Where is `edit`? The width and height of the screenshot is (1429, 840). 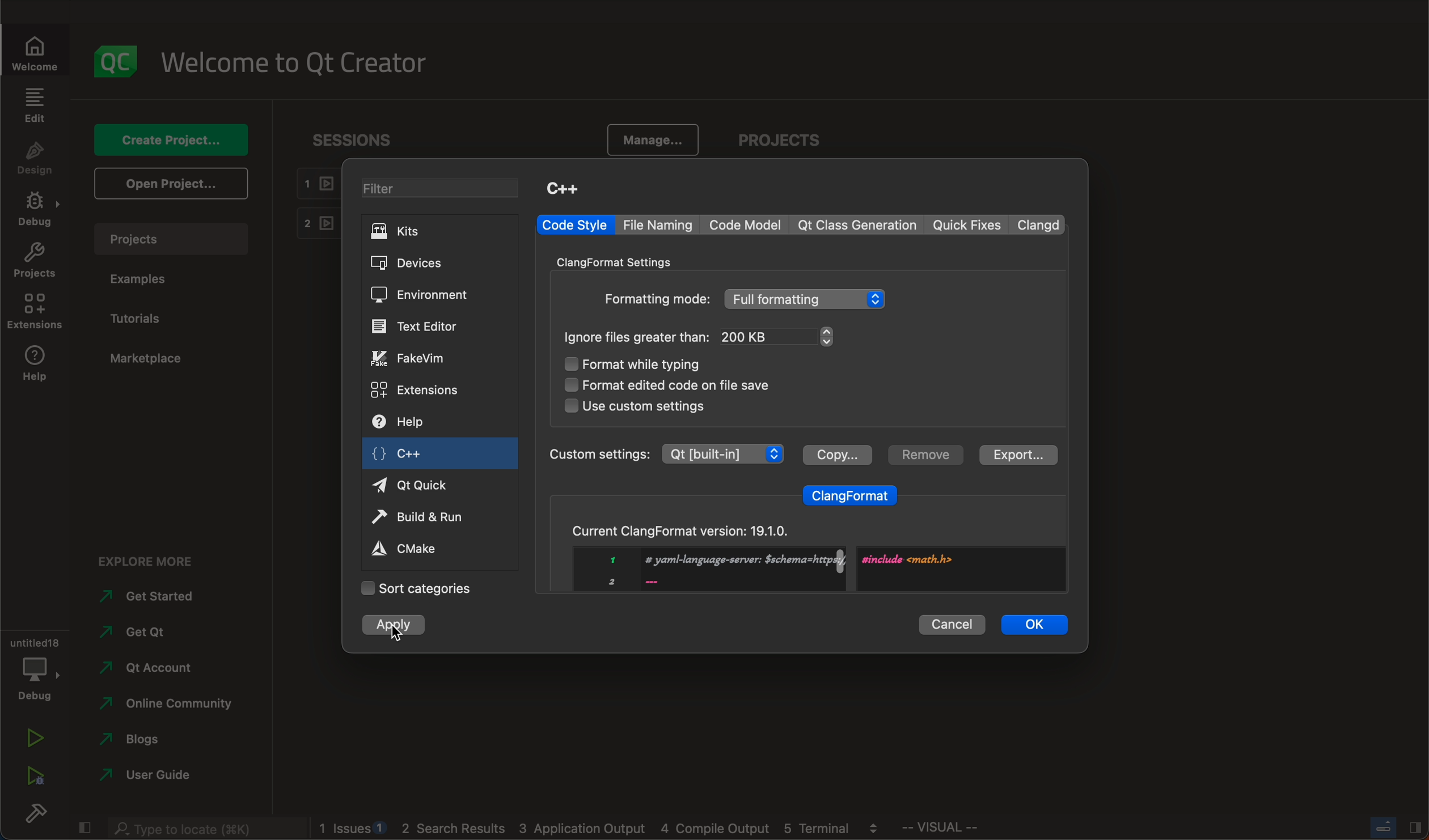
edit is located at coordinates (34, 105).